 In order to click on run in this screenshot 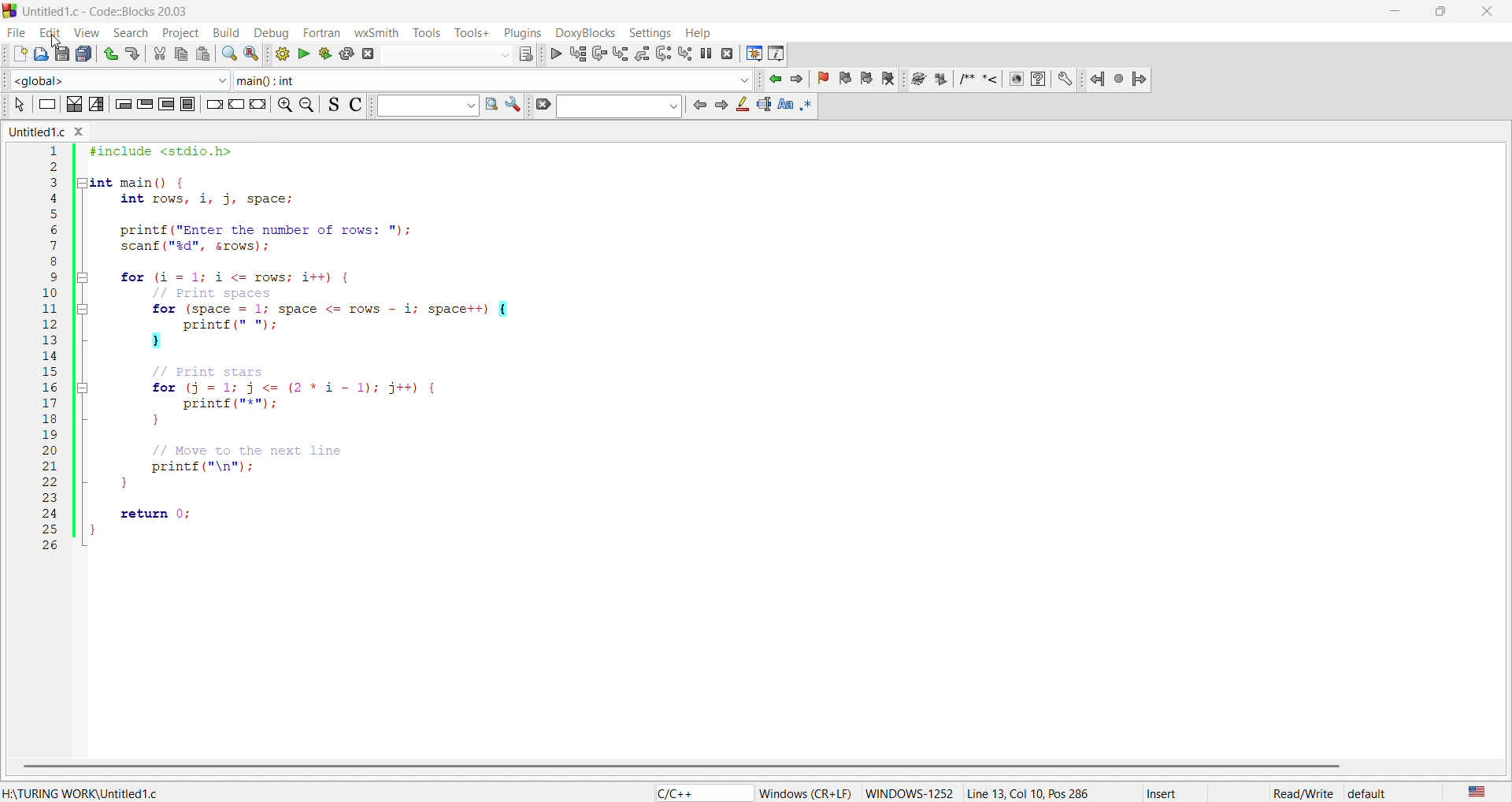, I will do `click(306, 54)`.